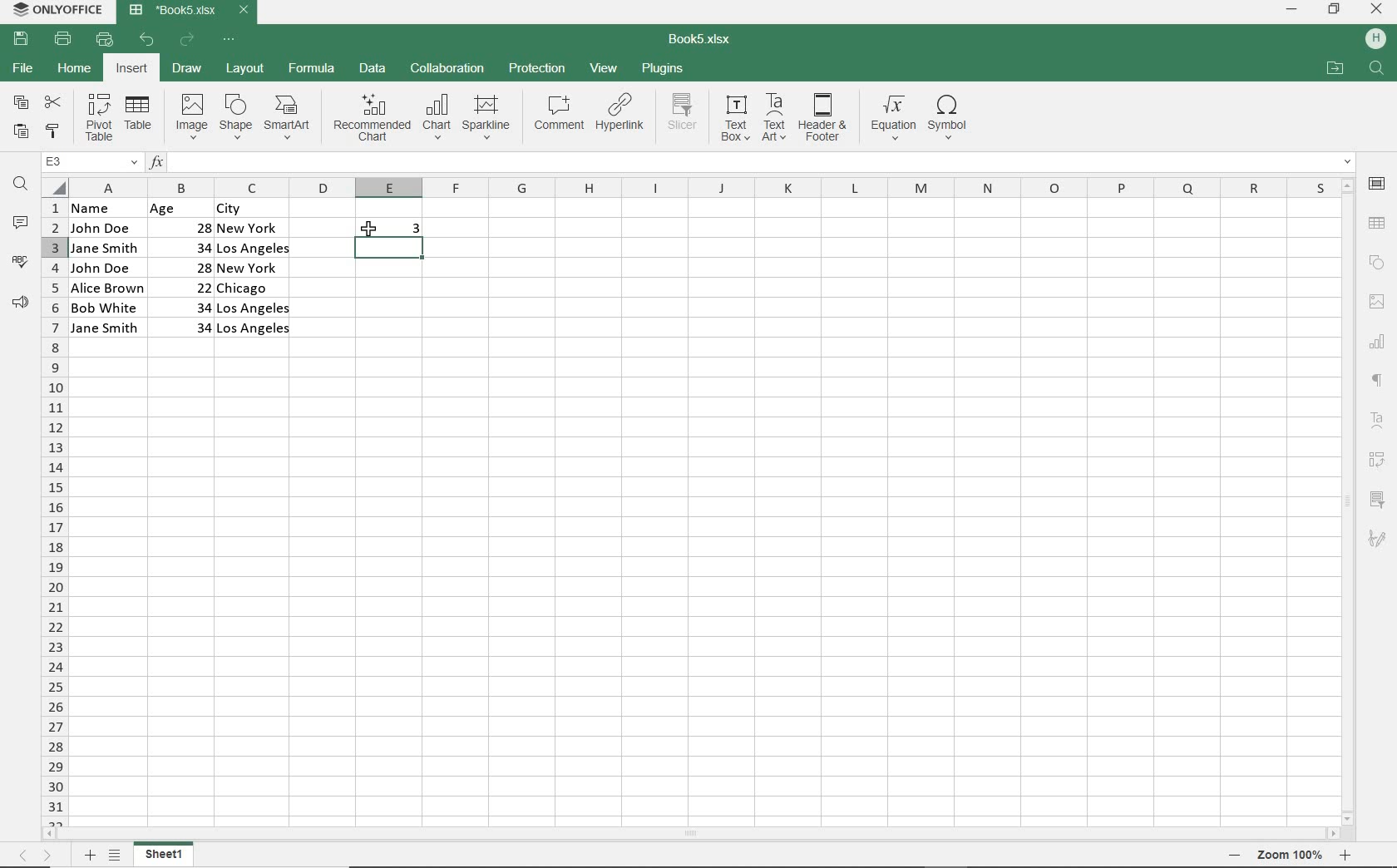 The width and height of the screenshot is (1397, 868). What do you see at coordinates (19, 186) in the screenshot?
I see `FIND` at bounding box center [19, 186].